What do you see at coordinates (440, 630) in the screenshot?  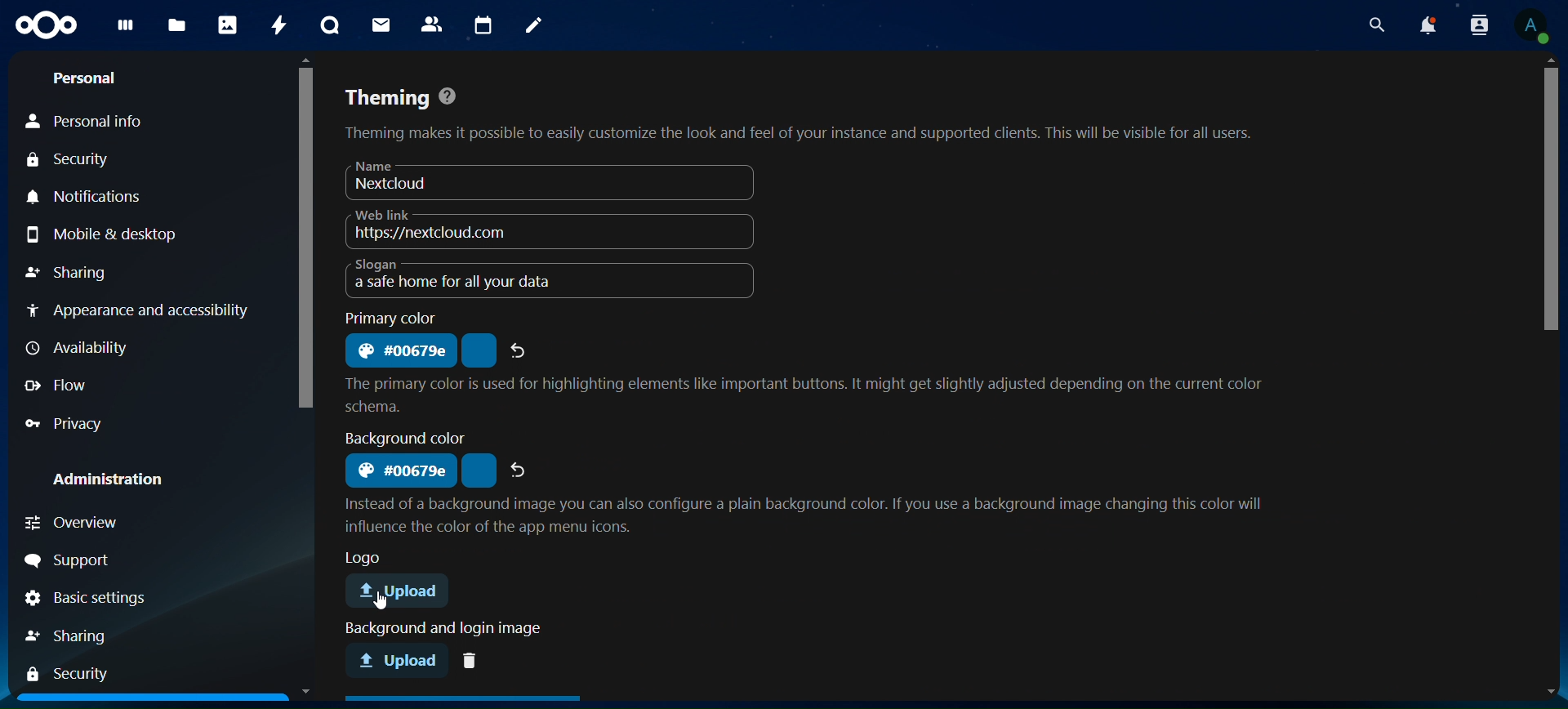 I see `Background and login image` at bounding box center [440, 630].